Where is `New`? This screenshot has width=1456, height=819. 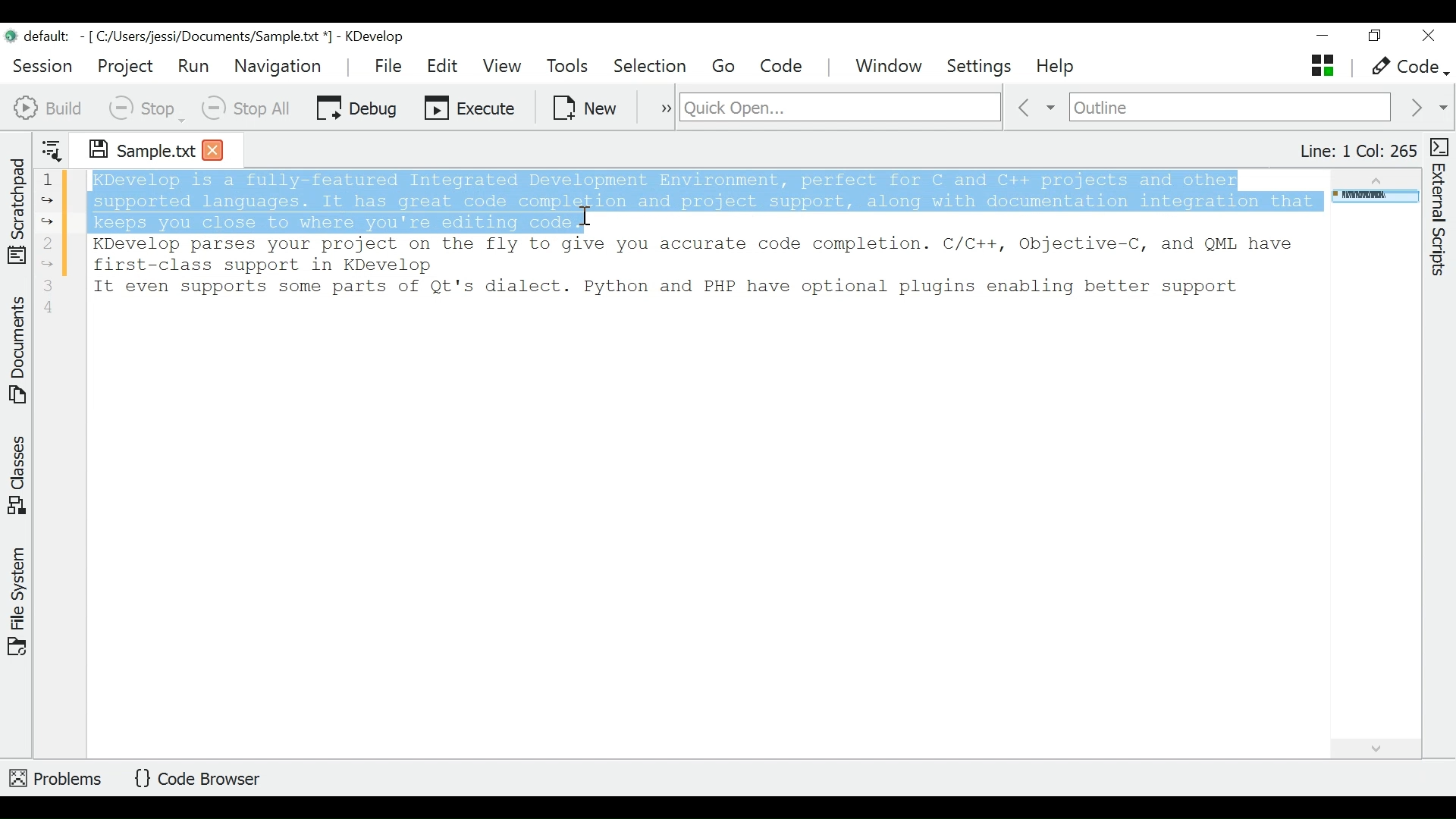
New is located at coordinates (586, 106).